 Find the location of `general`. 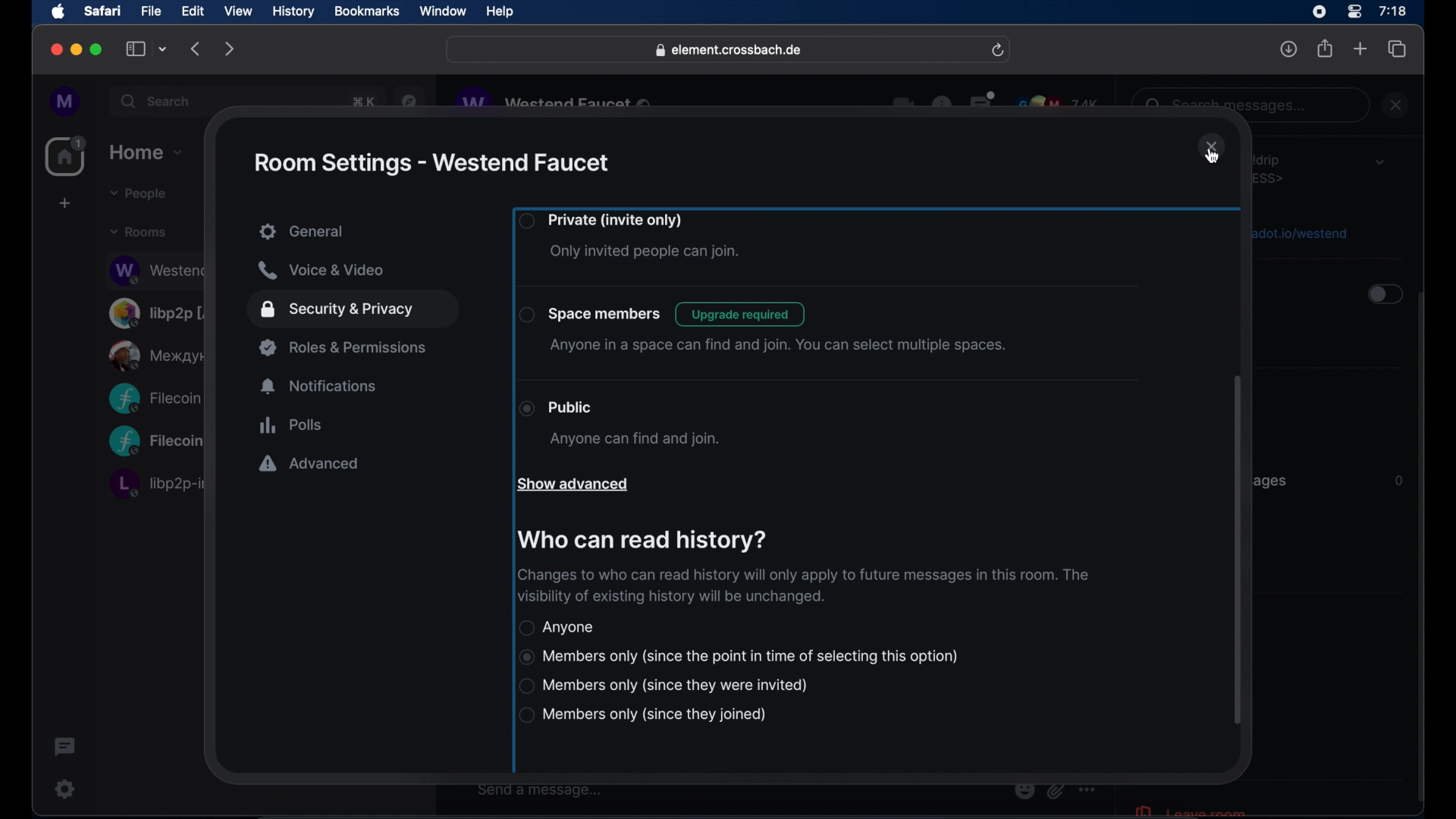

general is located at coordinates (355, 233).